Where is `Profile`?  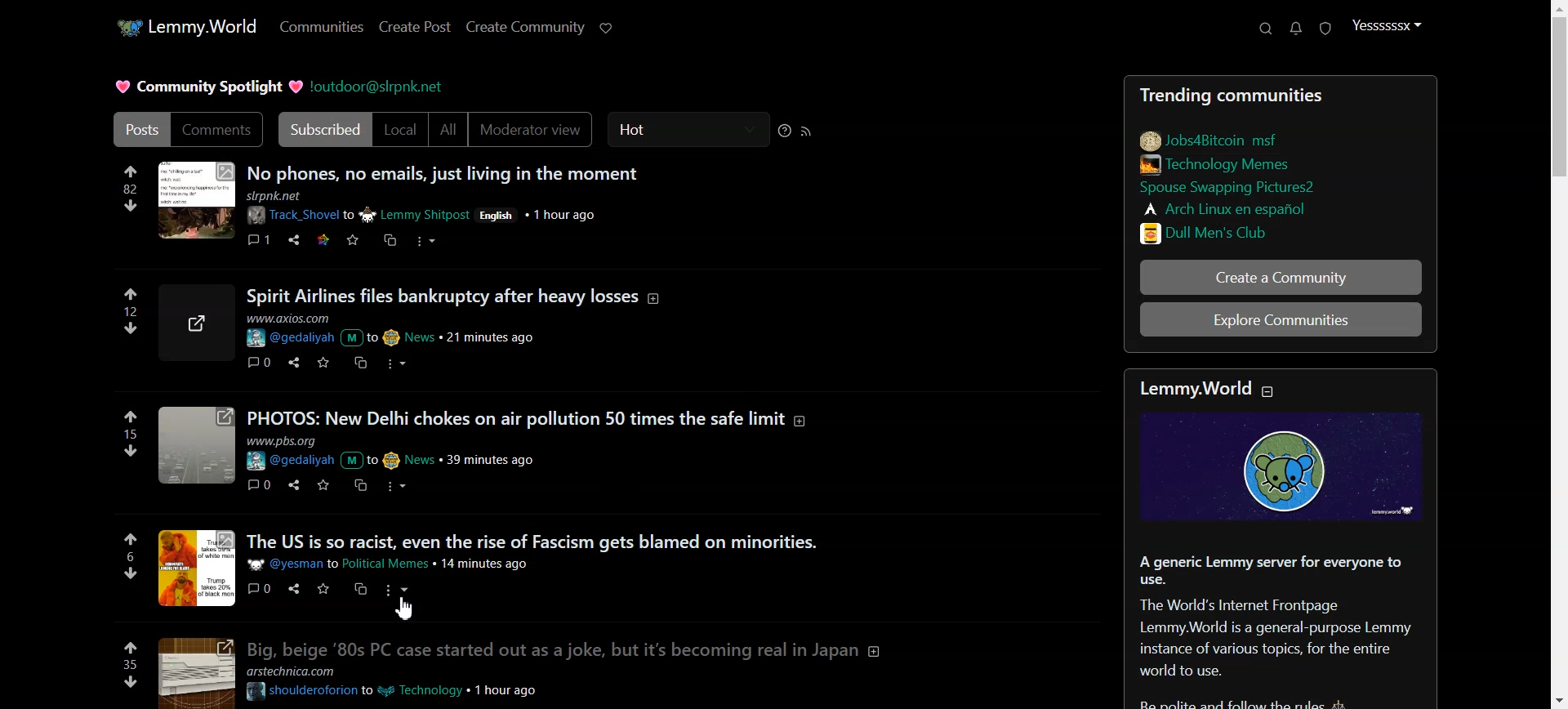
Profile is located at coordinates (1387, 26).